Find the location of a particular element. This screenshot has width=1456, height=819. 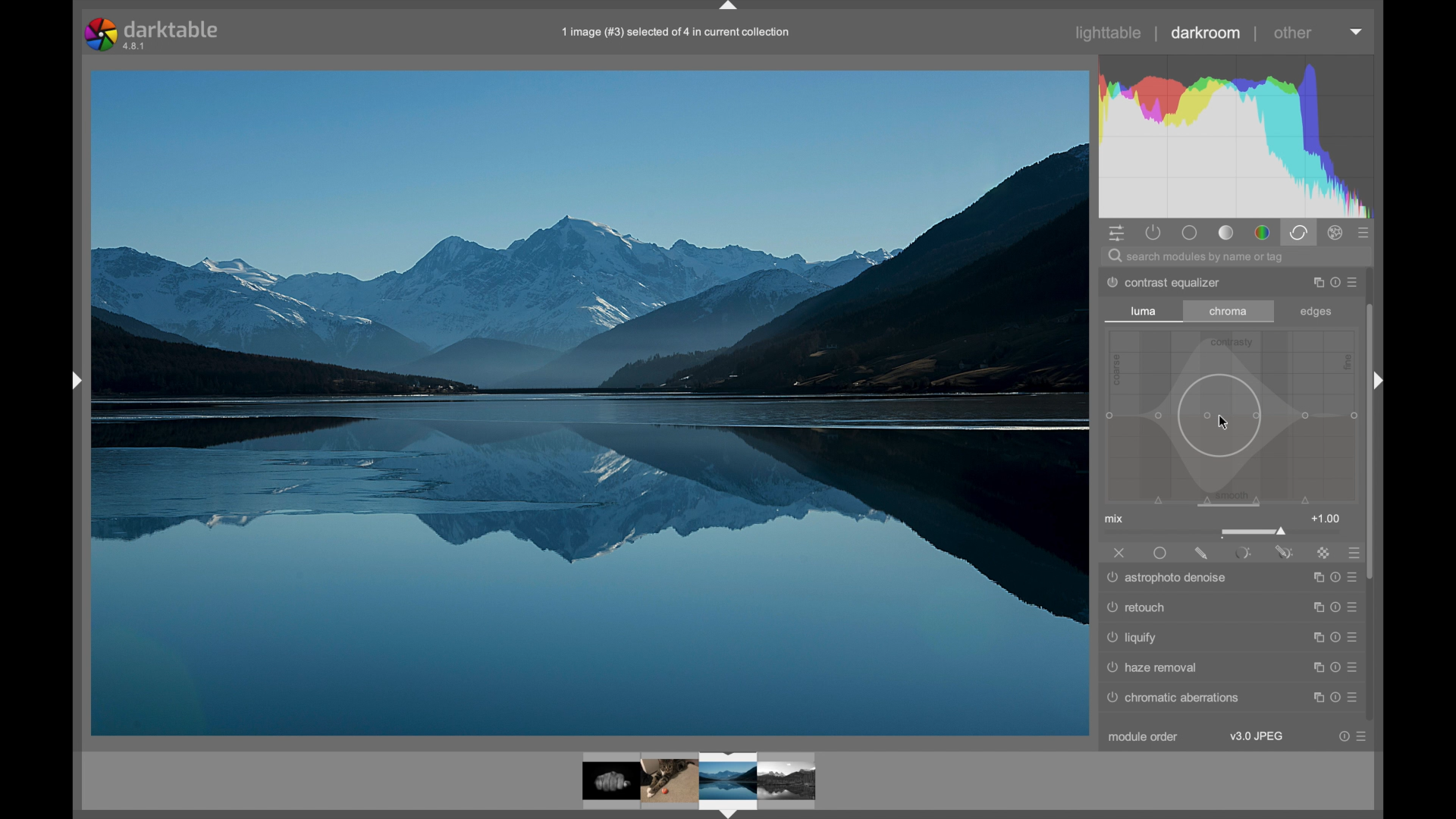

surface blur is located at coordinates (1150, 612).